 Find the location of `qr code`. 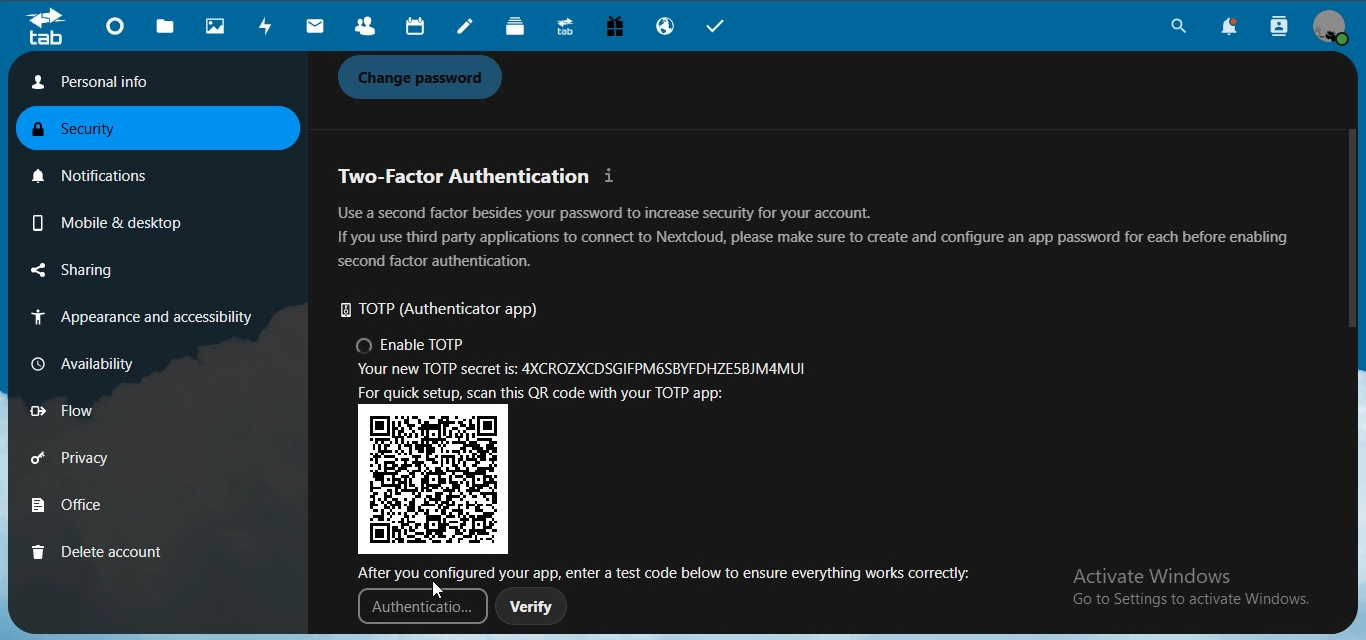

qr code is located at coordinates (436, 479).